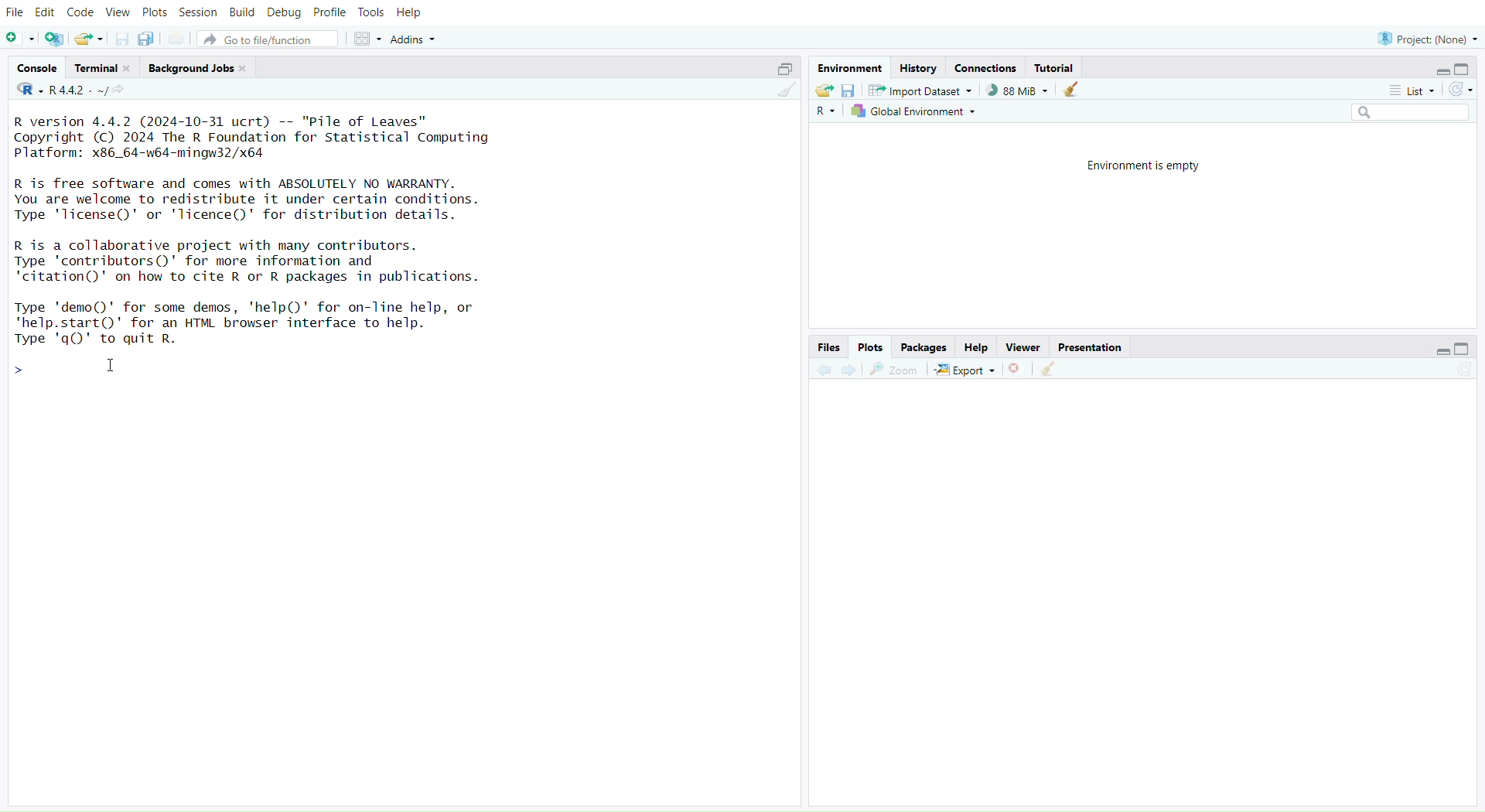  Describe the element at coordinates (1135, 167) in the screenshot. I see `environment is empty` at that location.